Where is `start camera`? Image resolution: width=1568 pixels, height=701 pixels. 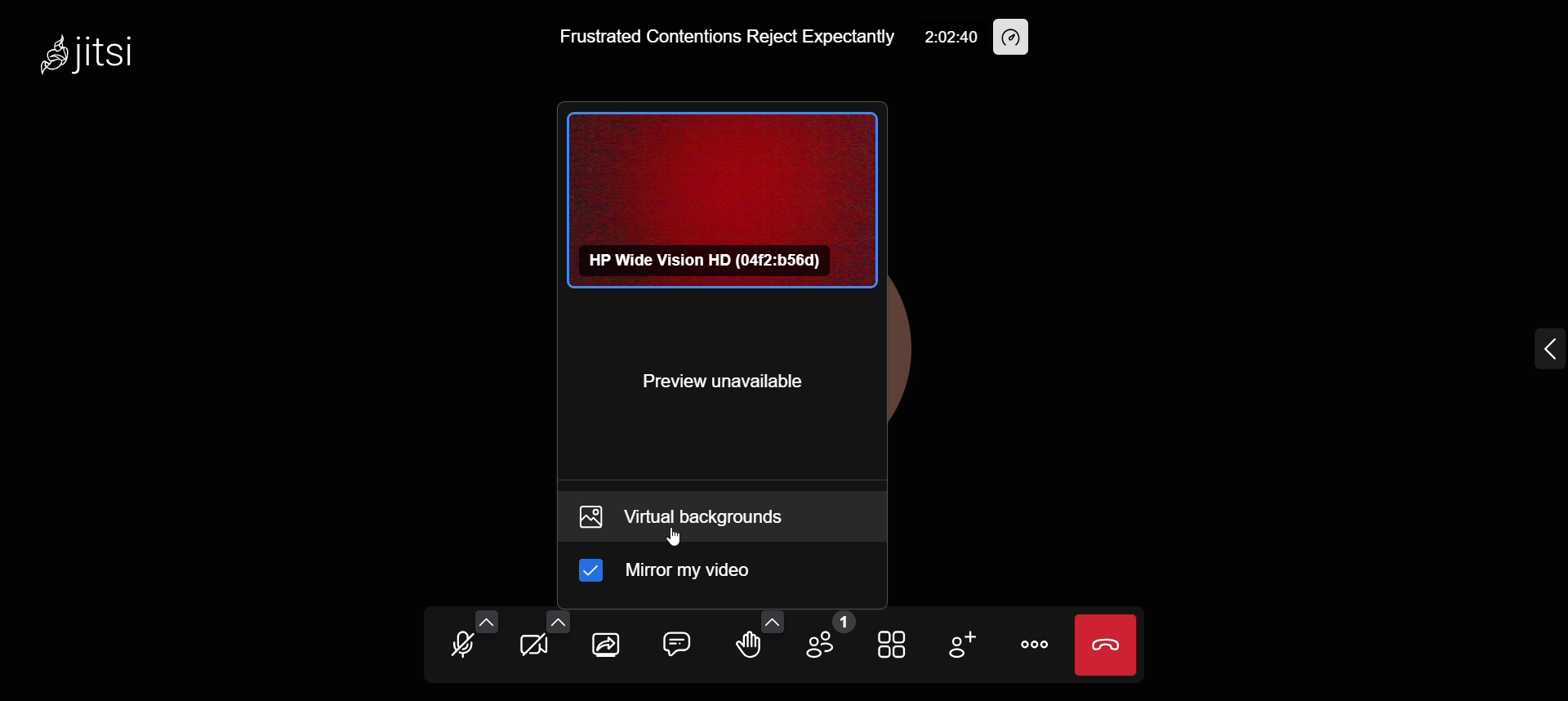 start camera is located at coordinates (529, 649).